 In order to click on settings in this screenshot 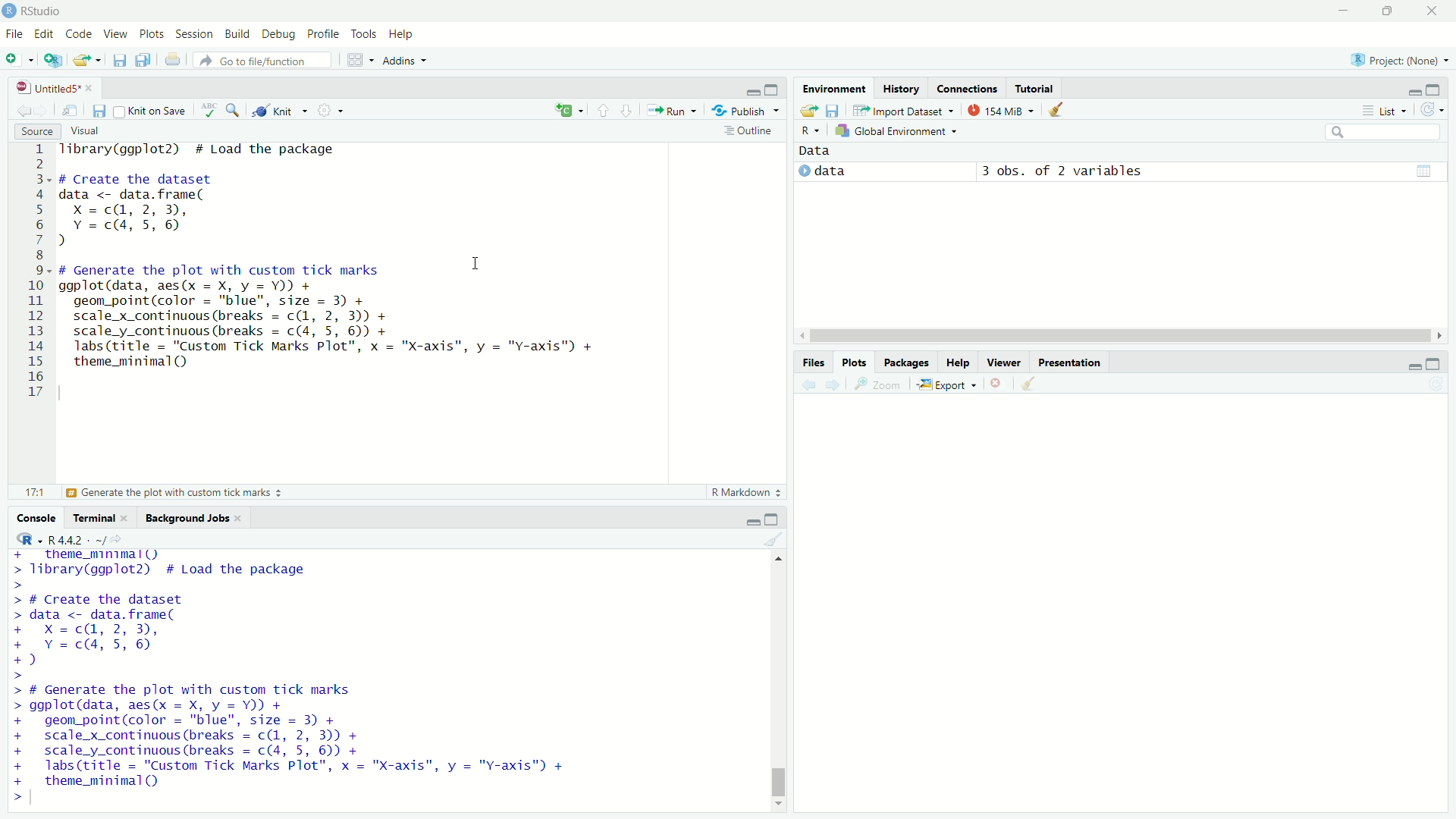, I will do `click(334, 111)`.